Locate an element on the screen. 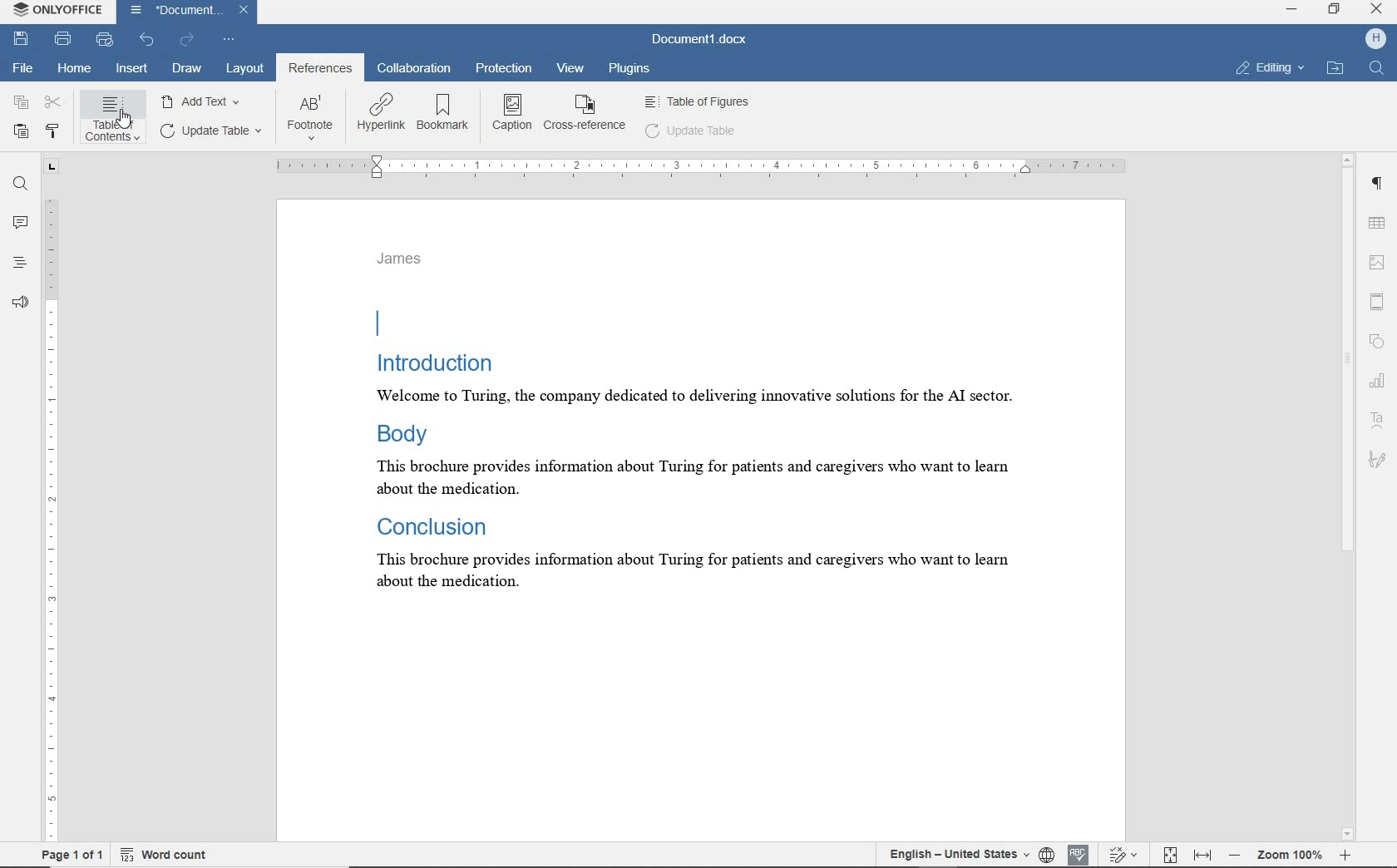 Image resolution: width=1397 pixels, height=868 pixels. ruler is located at coordinates (51, 496).